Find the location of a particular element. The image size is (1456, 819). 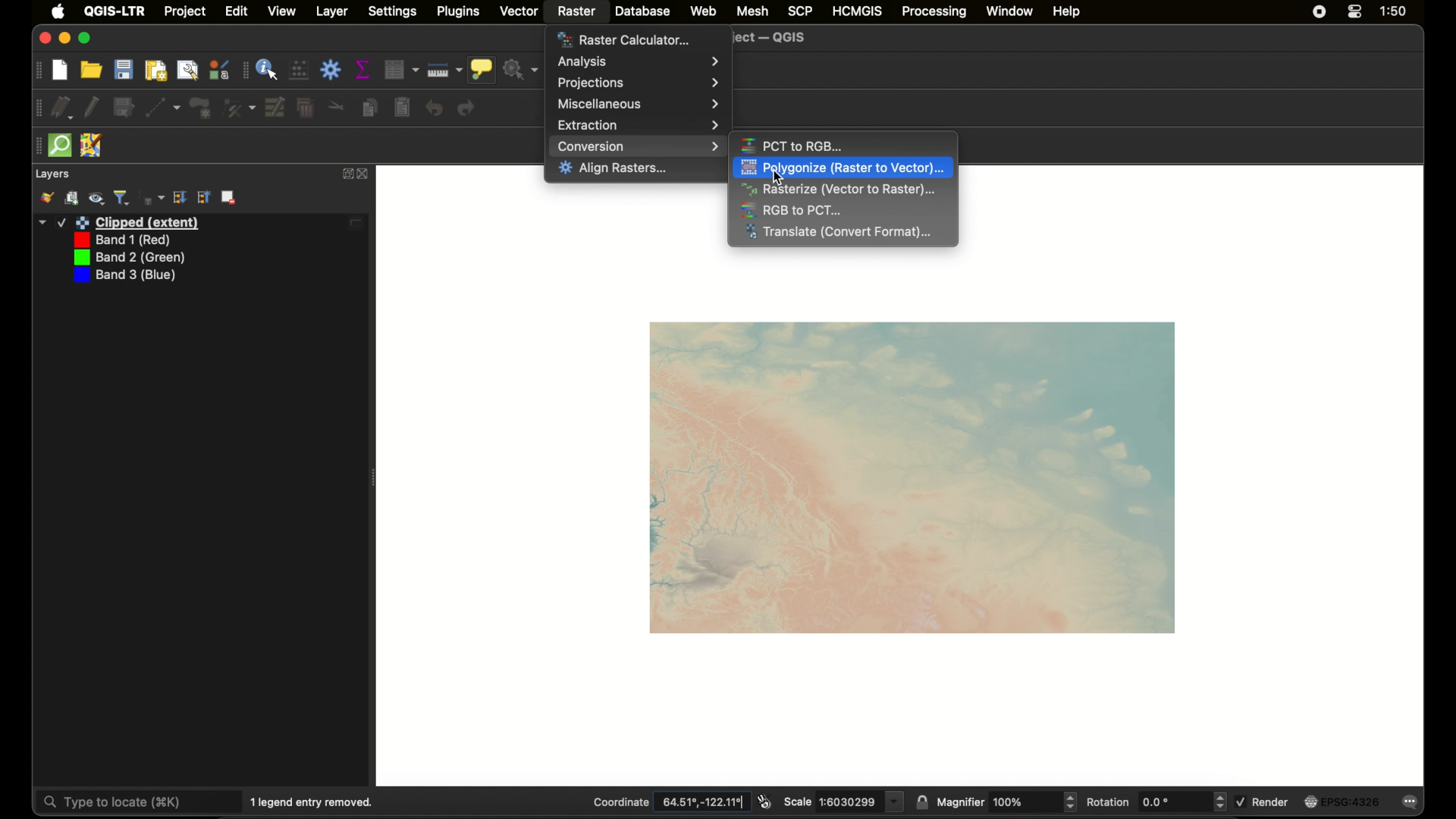

apple icon is located at coordinates (58, 11).